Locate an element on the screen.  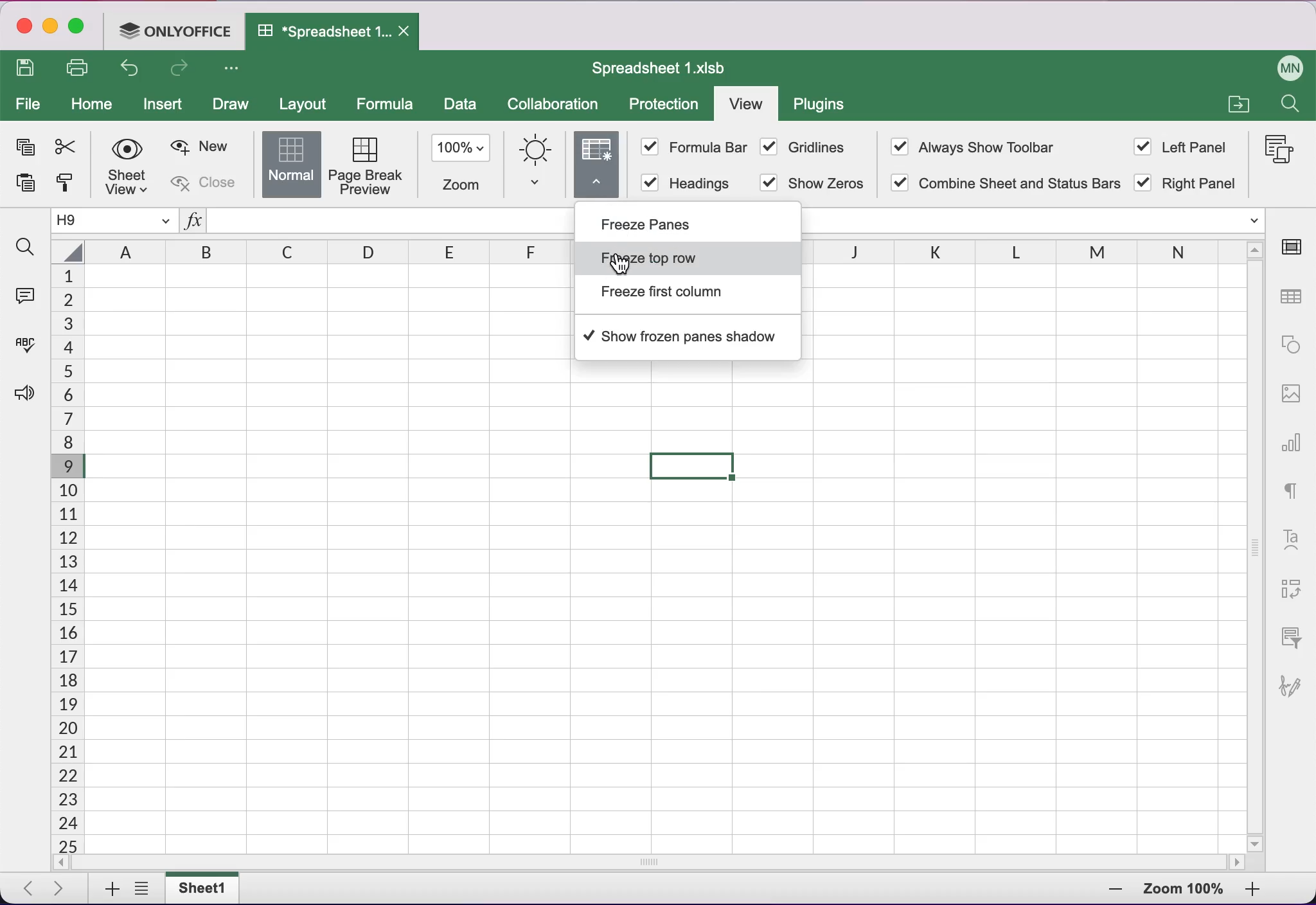
previous tab is located at coordinates (26, 889).